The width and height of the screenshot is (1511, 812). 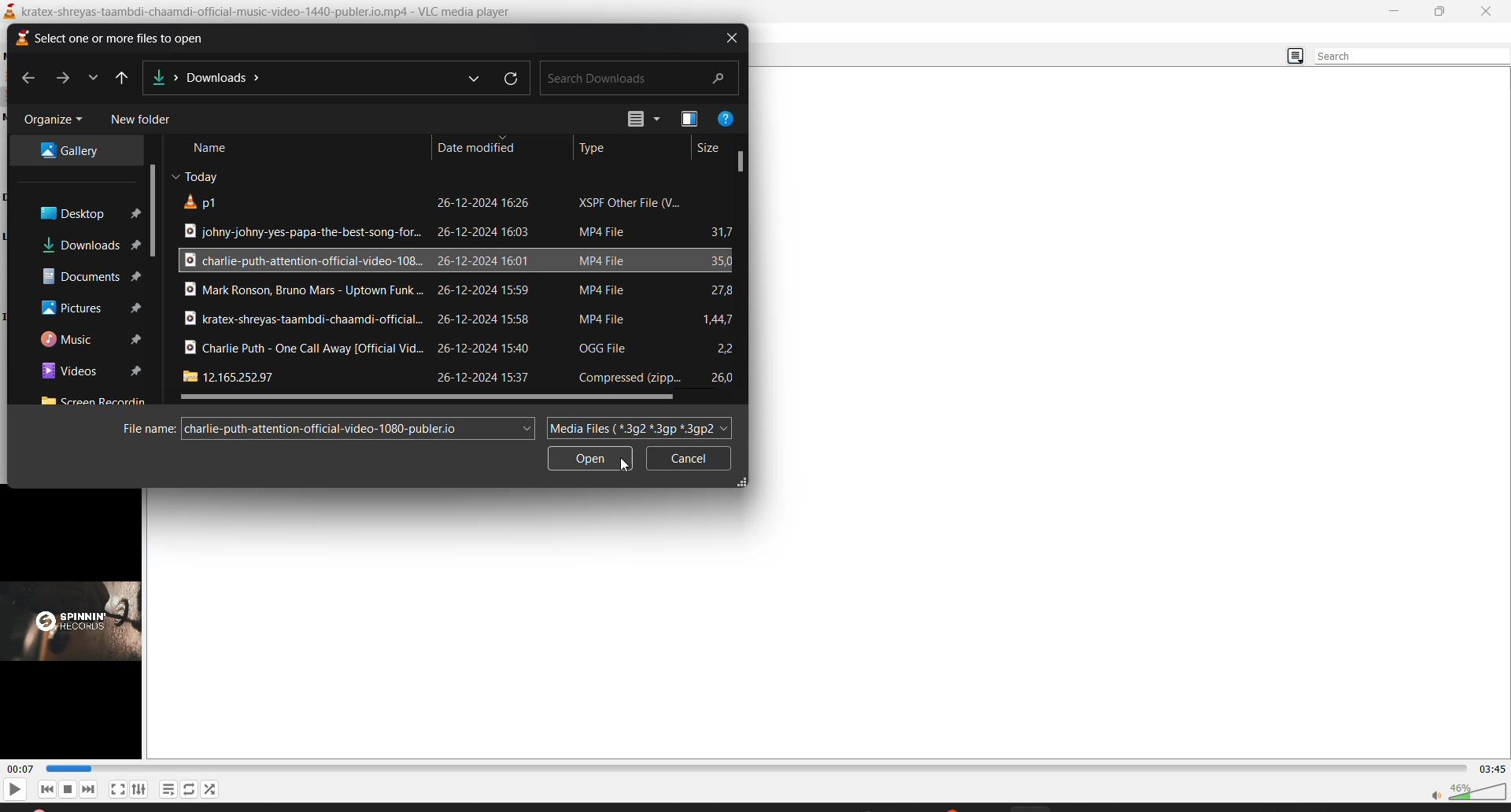 I want to click on change view, so click(x=1292, y=57).